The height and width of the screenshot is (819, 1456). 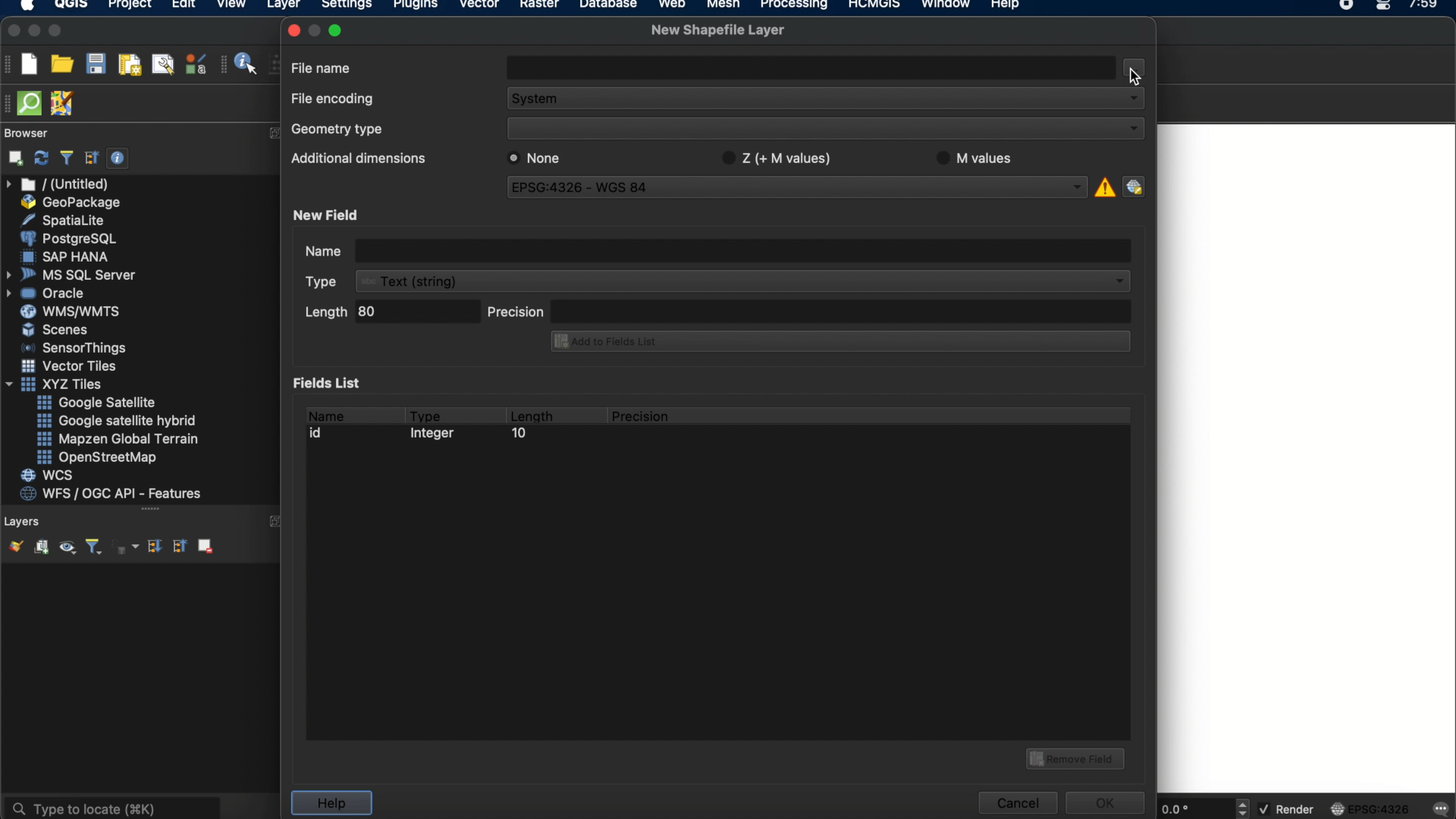 What do you see at coordinates (742, 250) in the screenshot?
I see `text box` at bounding box center [742, 250].